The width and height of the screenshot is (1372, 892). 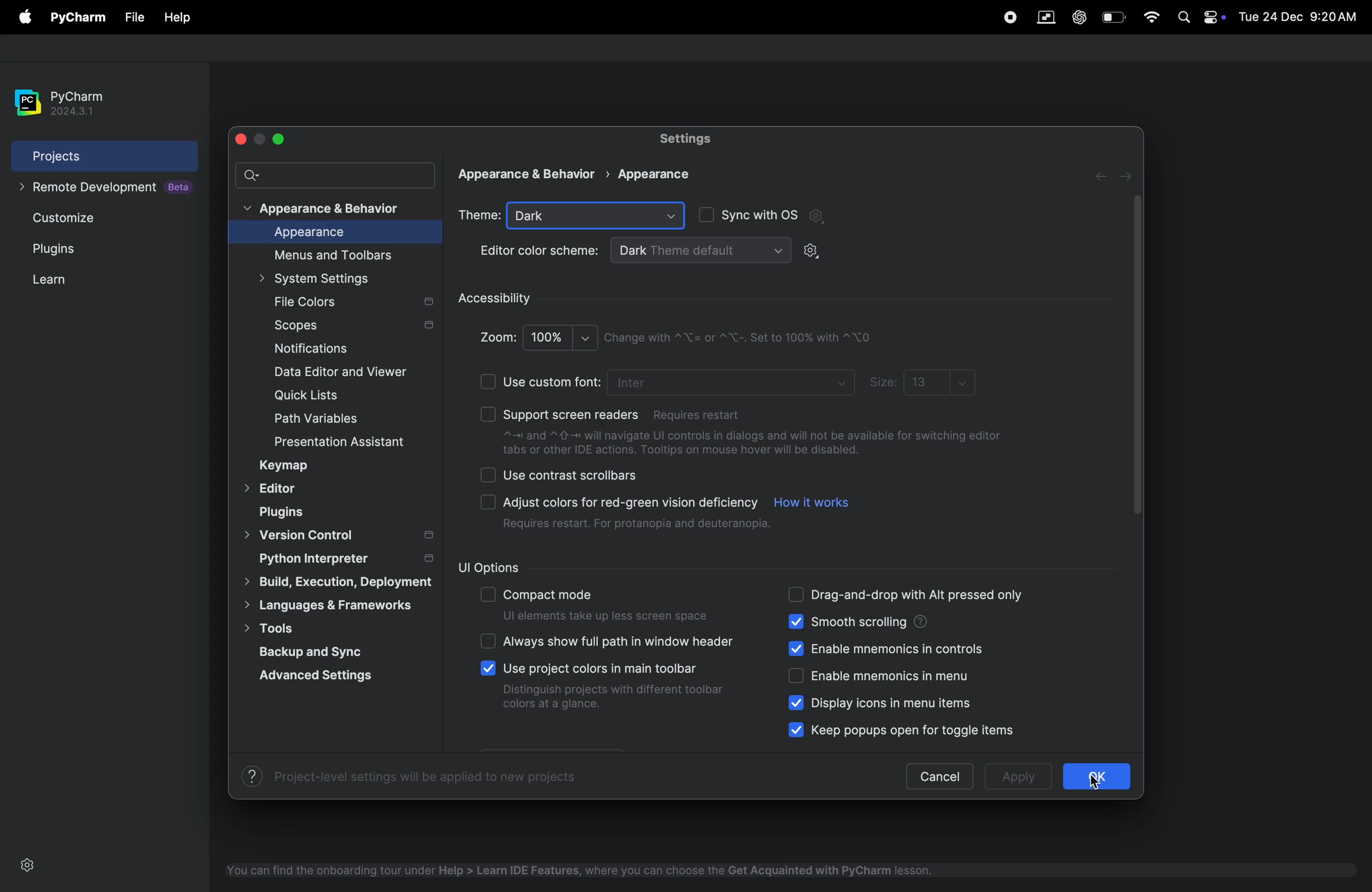 What do you see at coordinates (797, 703) in the screenshot?
I see `checkbox` at bounding box center [797, 703].